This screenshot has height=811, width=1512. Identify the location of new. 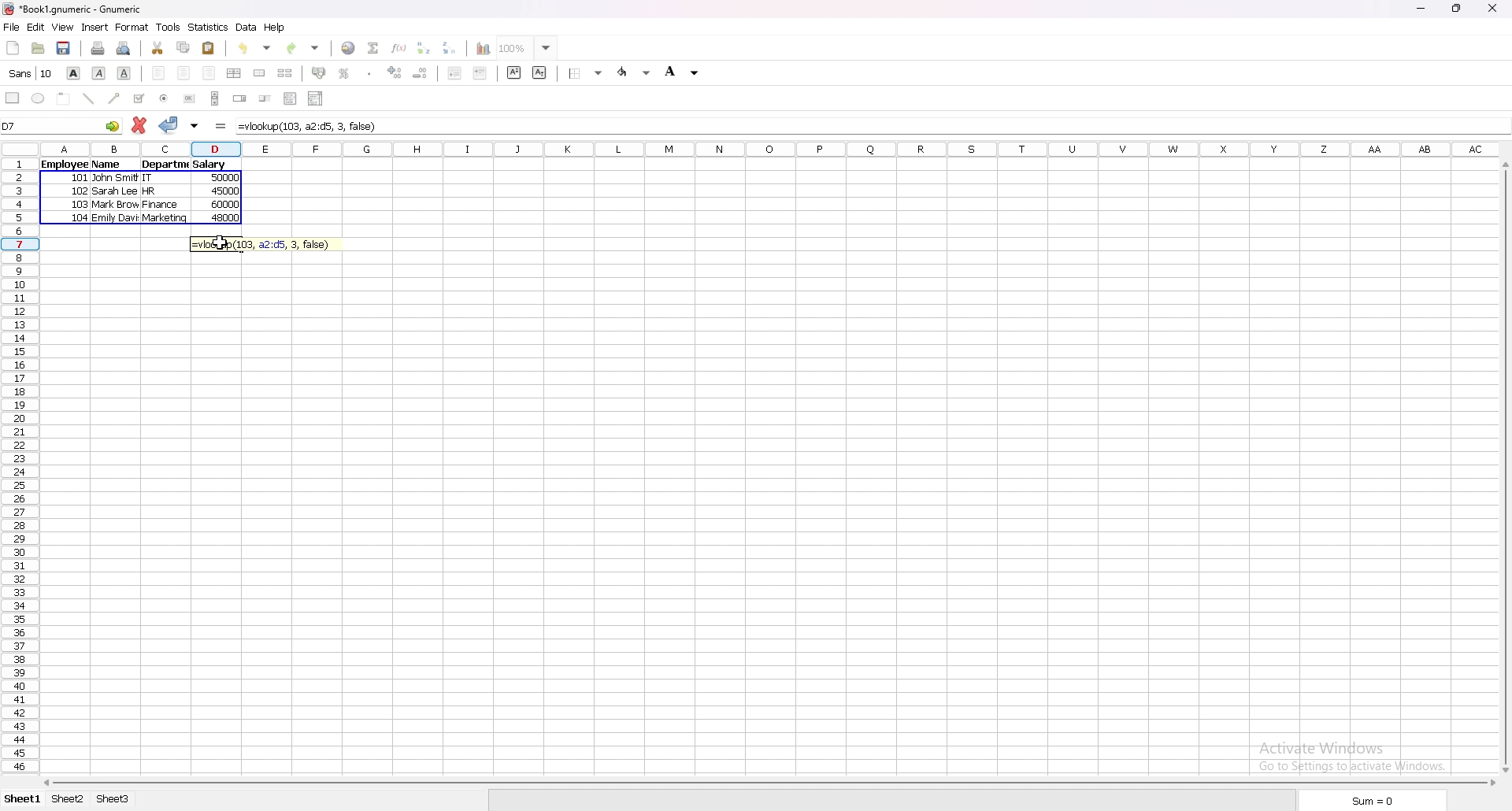
(13, 48).